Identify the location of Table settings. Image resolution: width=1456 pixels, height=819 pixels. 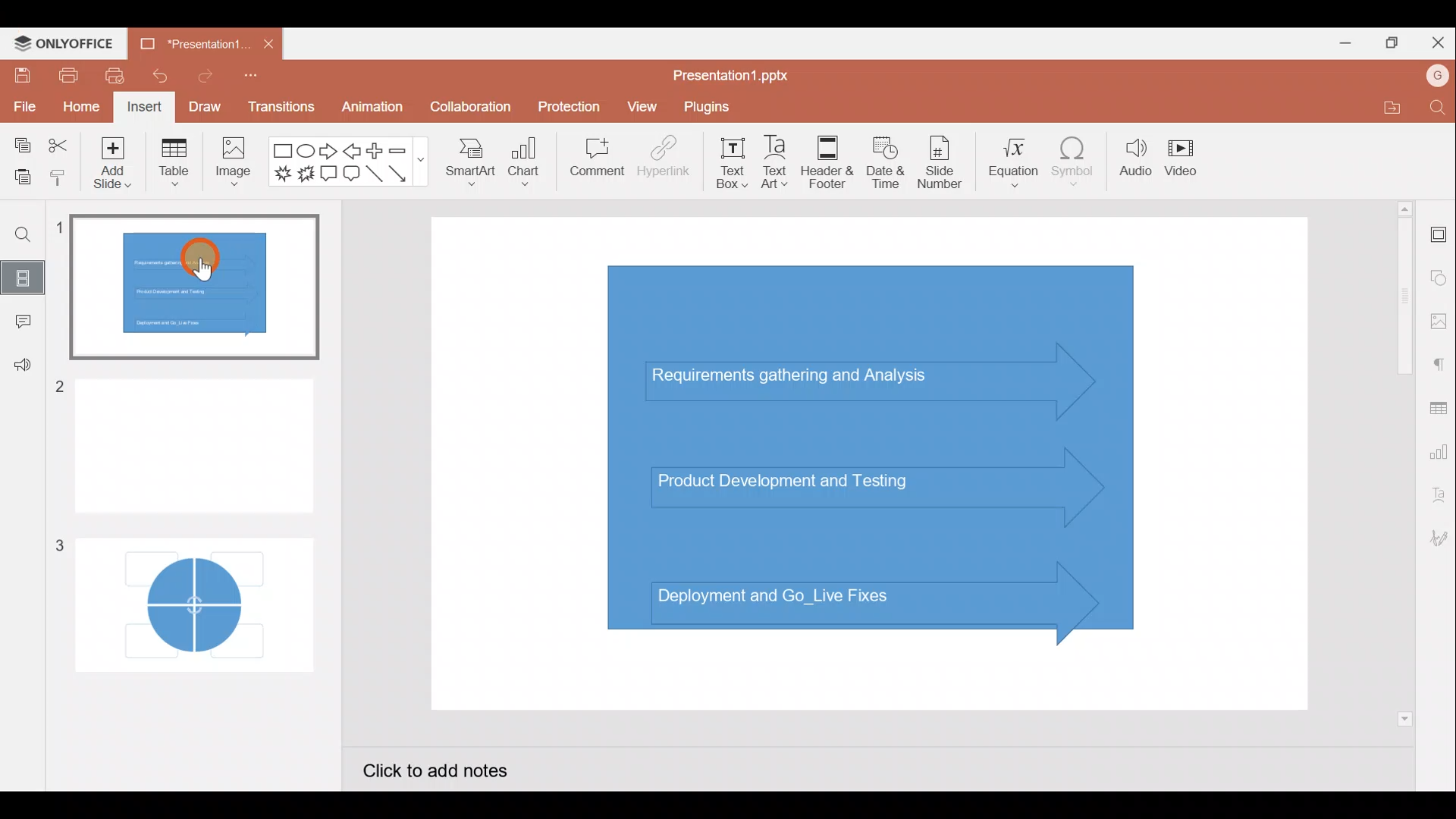
(1439, 408).